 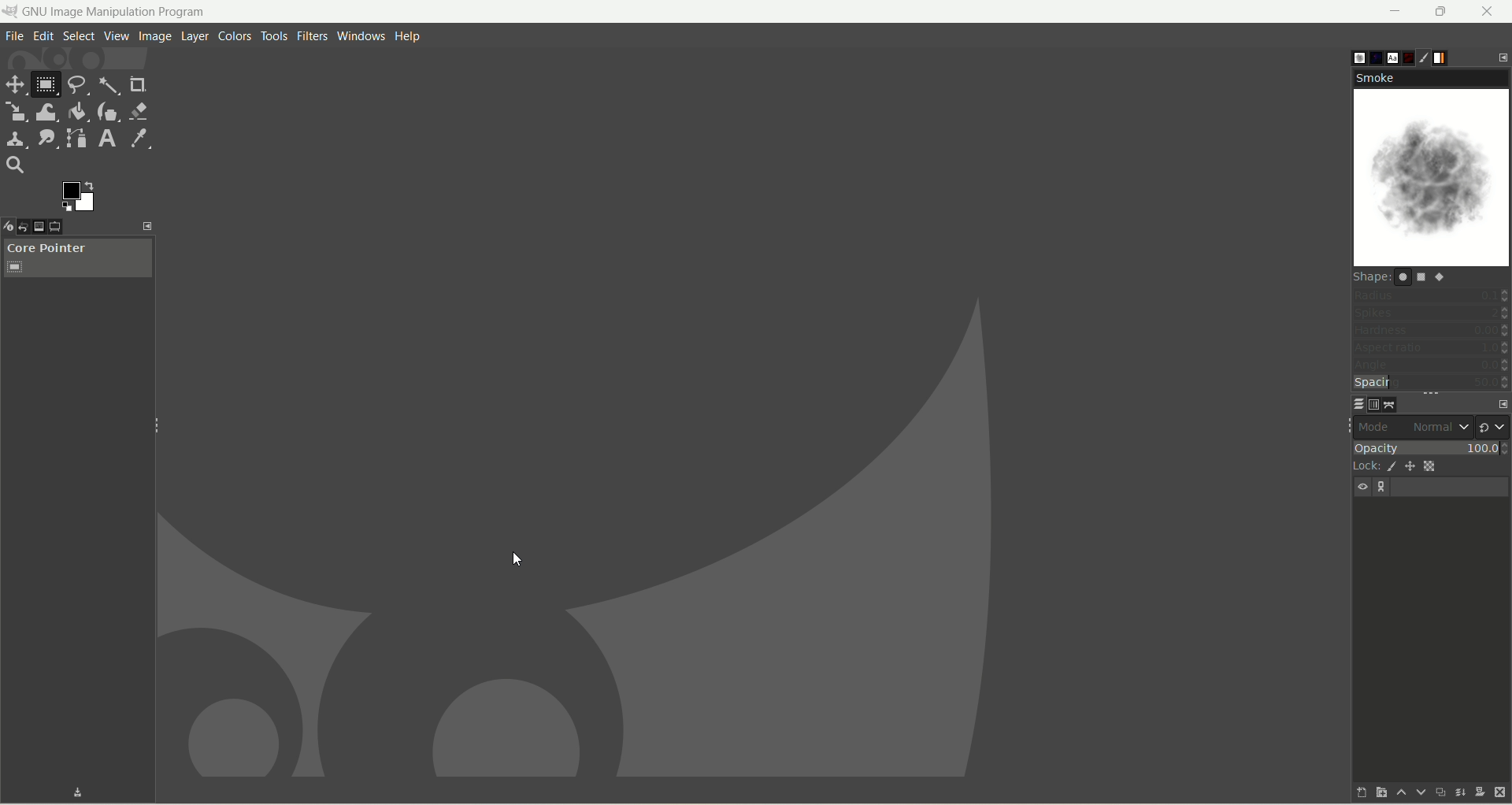 I want to click on create a new layer with last used values, so click(x=1349, y=792).